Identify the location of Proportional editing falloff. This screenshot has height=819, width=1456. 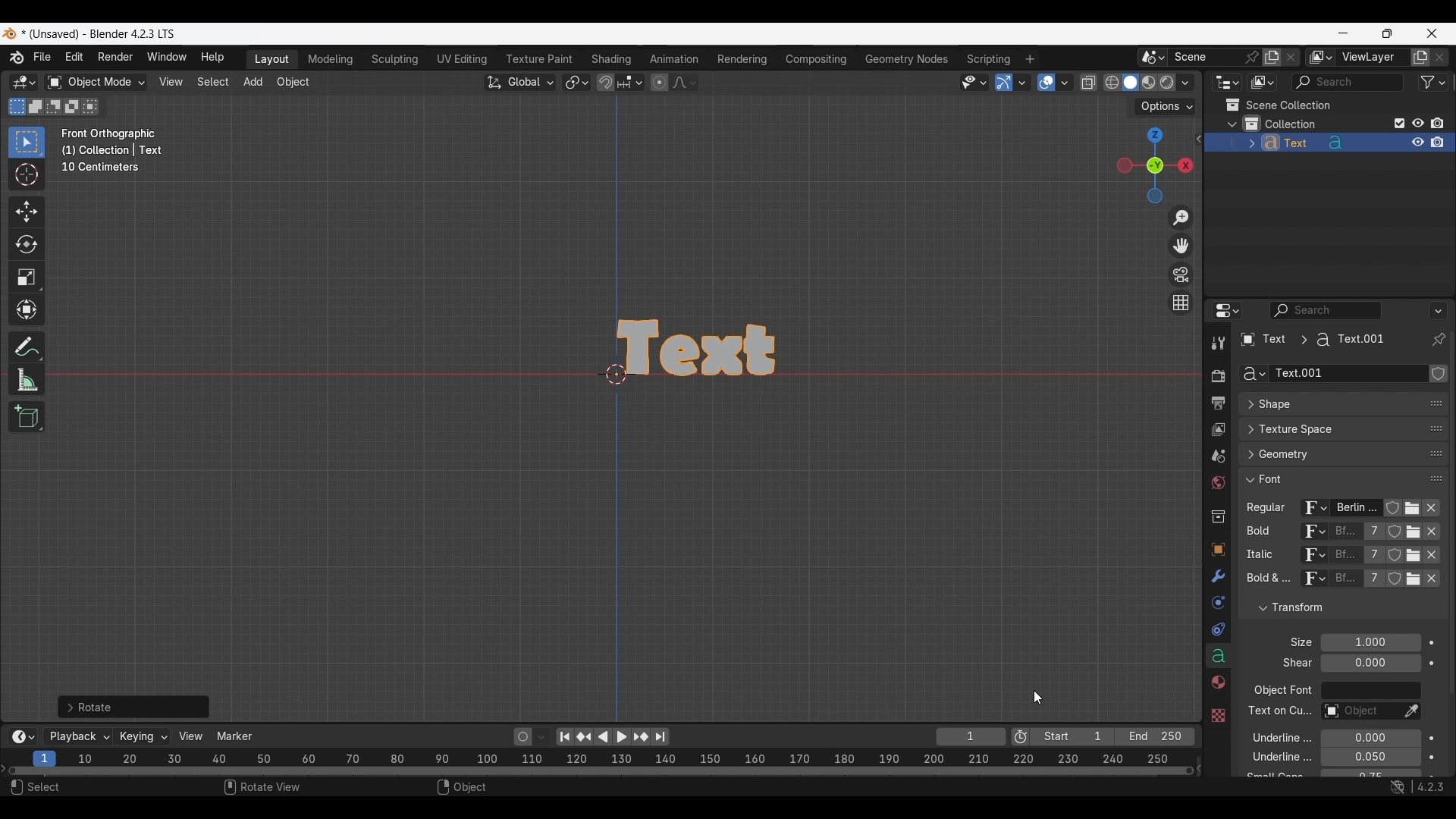
(685, 82).